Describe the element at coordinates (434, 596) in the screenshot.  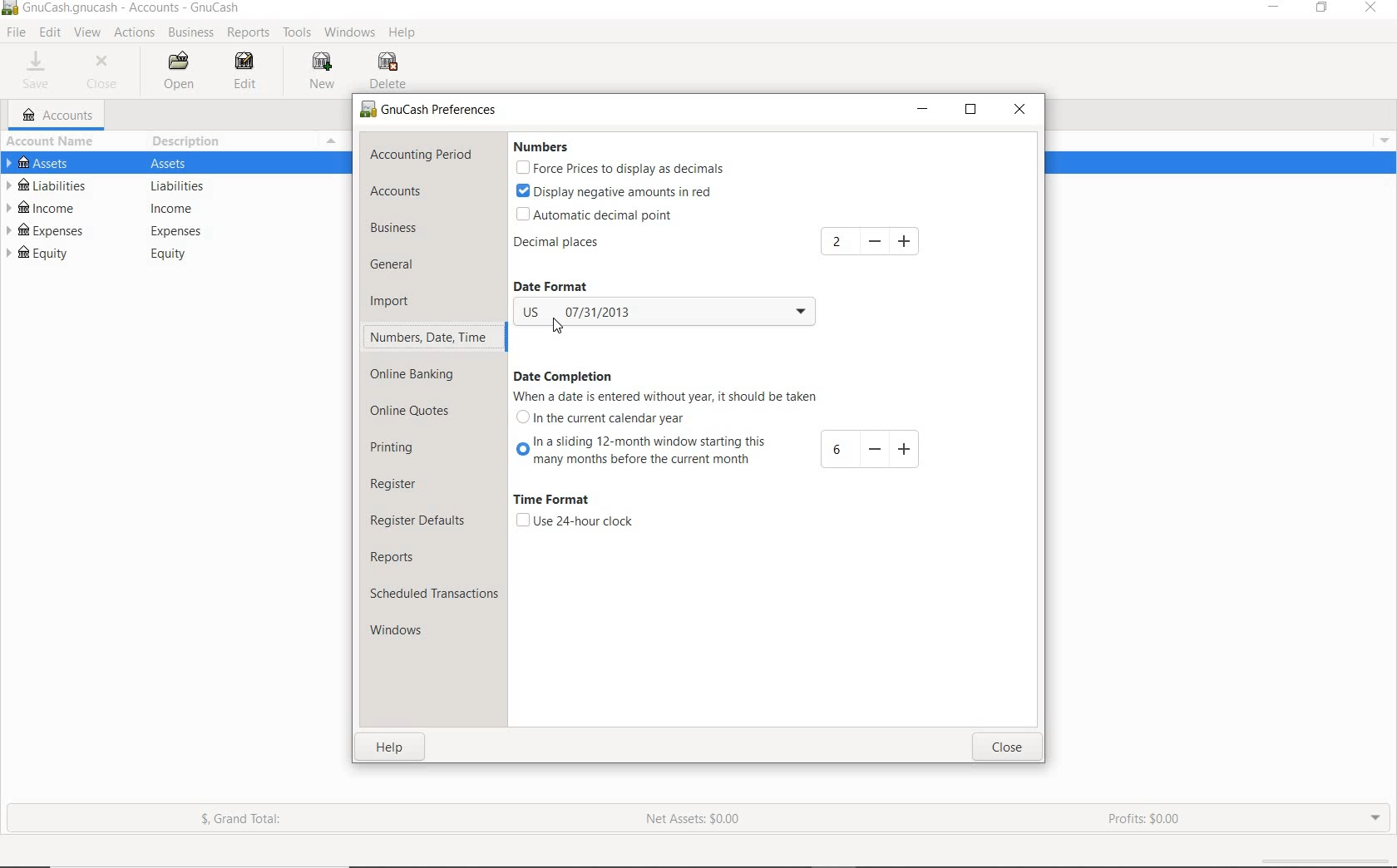
I see `scheduled transactions` at that location.